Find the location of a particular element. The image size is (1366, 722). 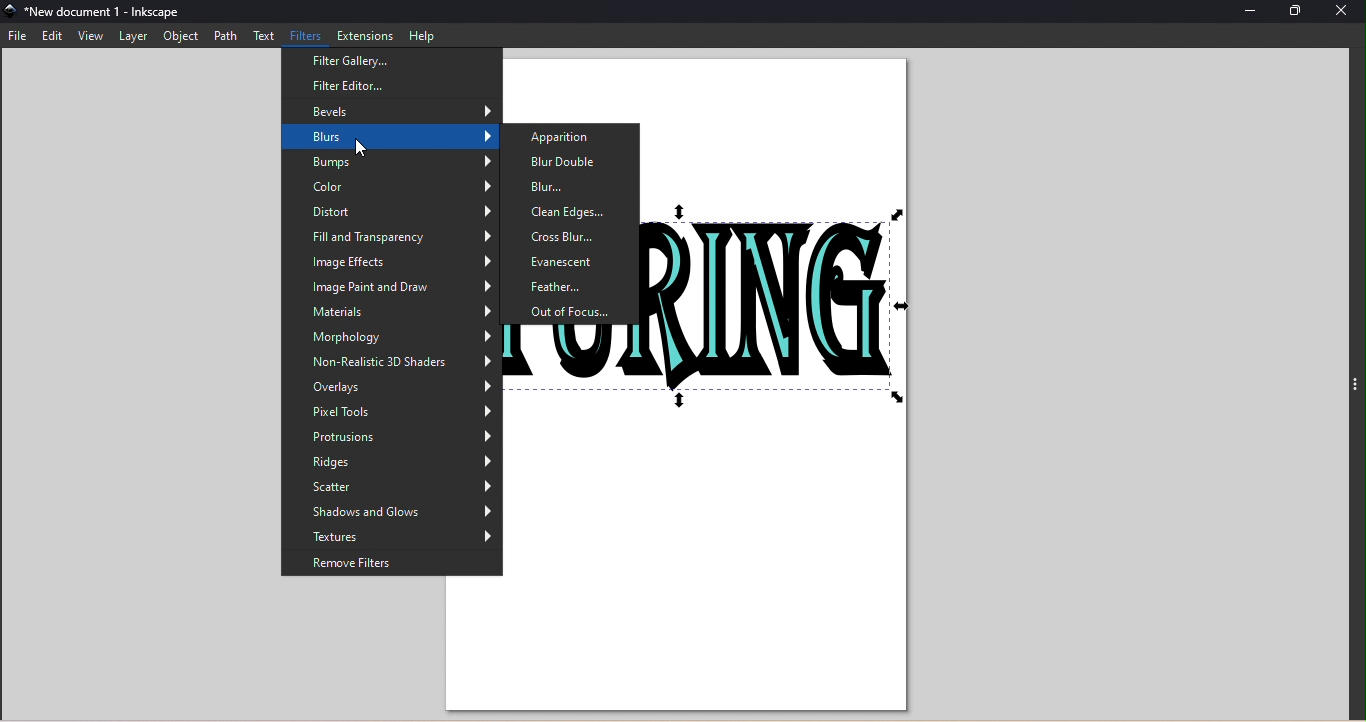

Remove filters is located at coordinates (392, 561).